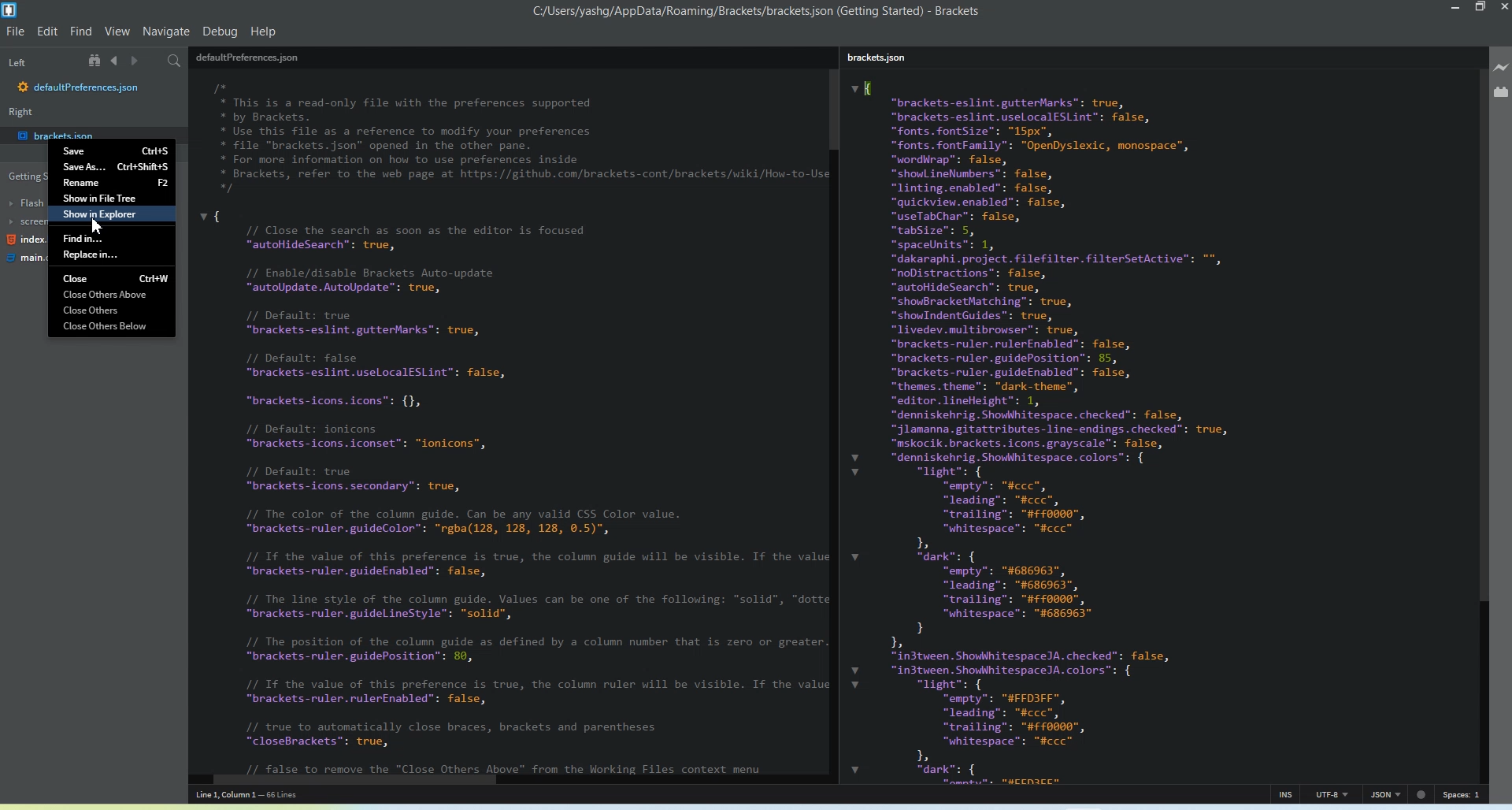  Describe the element at coordinates (1458, 8) in the screenshot. I see `Minimize` at that location.